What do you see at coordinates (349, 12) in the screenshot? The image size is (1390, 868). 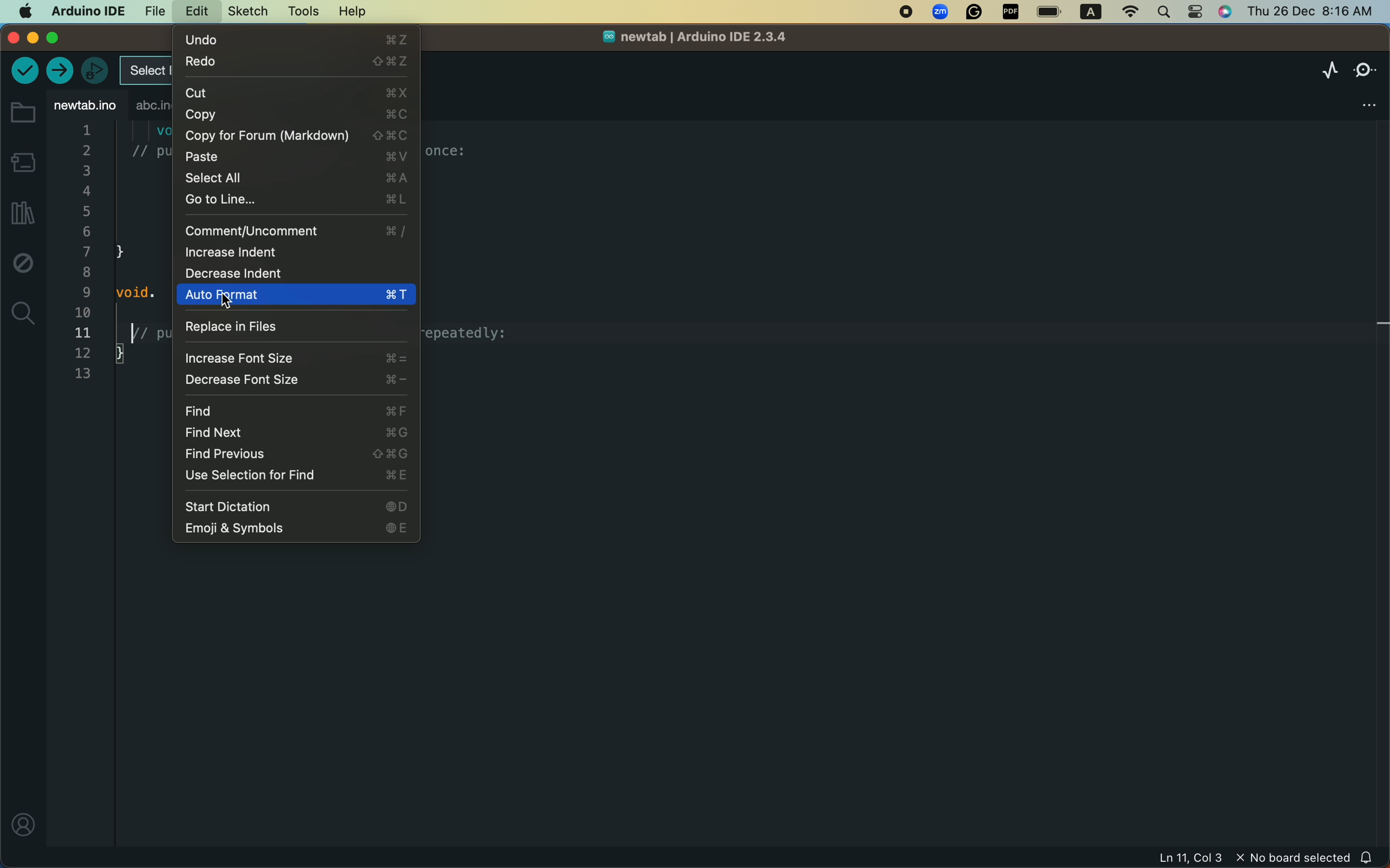 I see `help` at bounding box center [349, 12].